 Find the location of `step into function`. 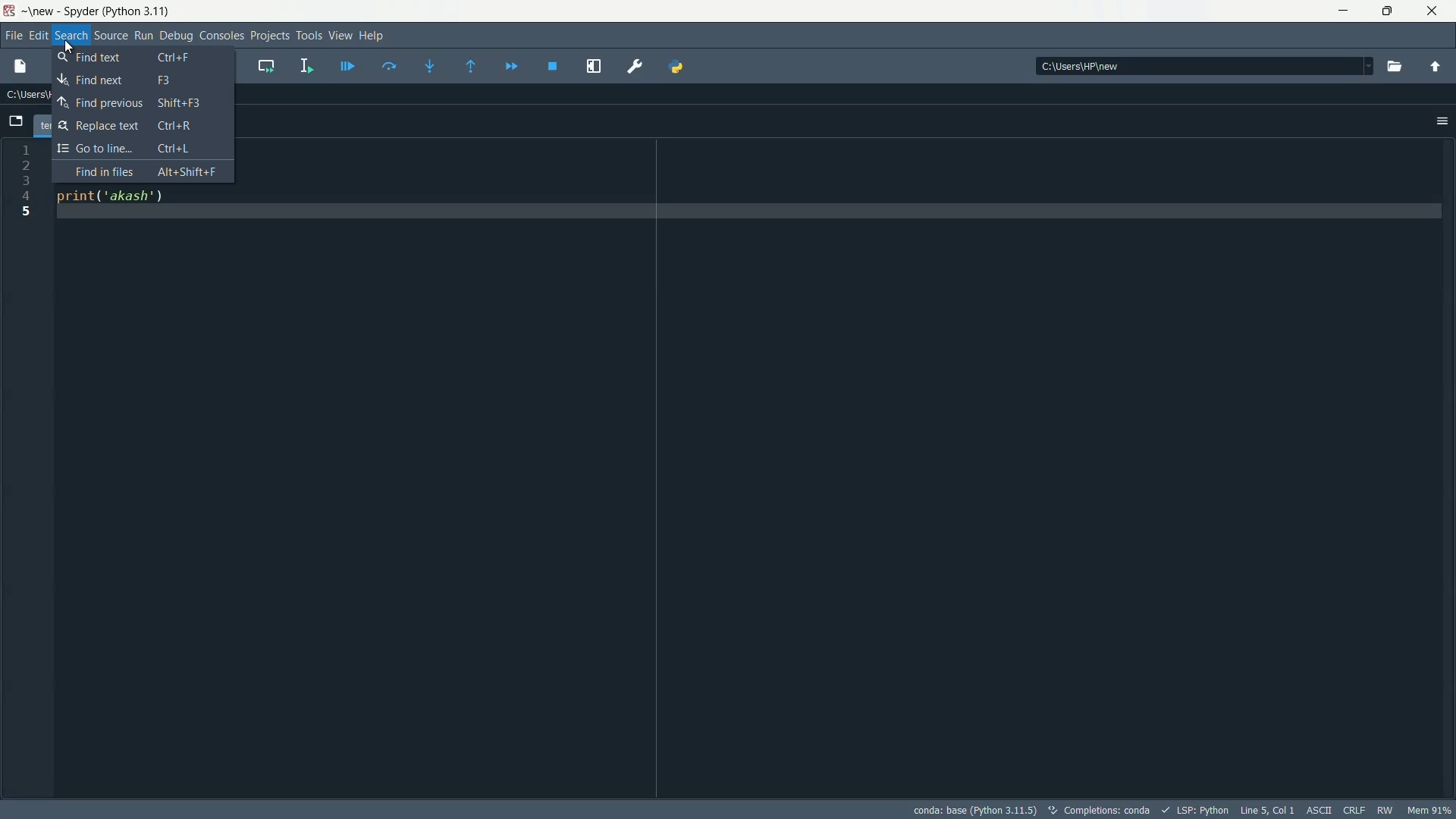

step into function is located at coordinates (430, 65).